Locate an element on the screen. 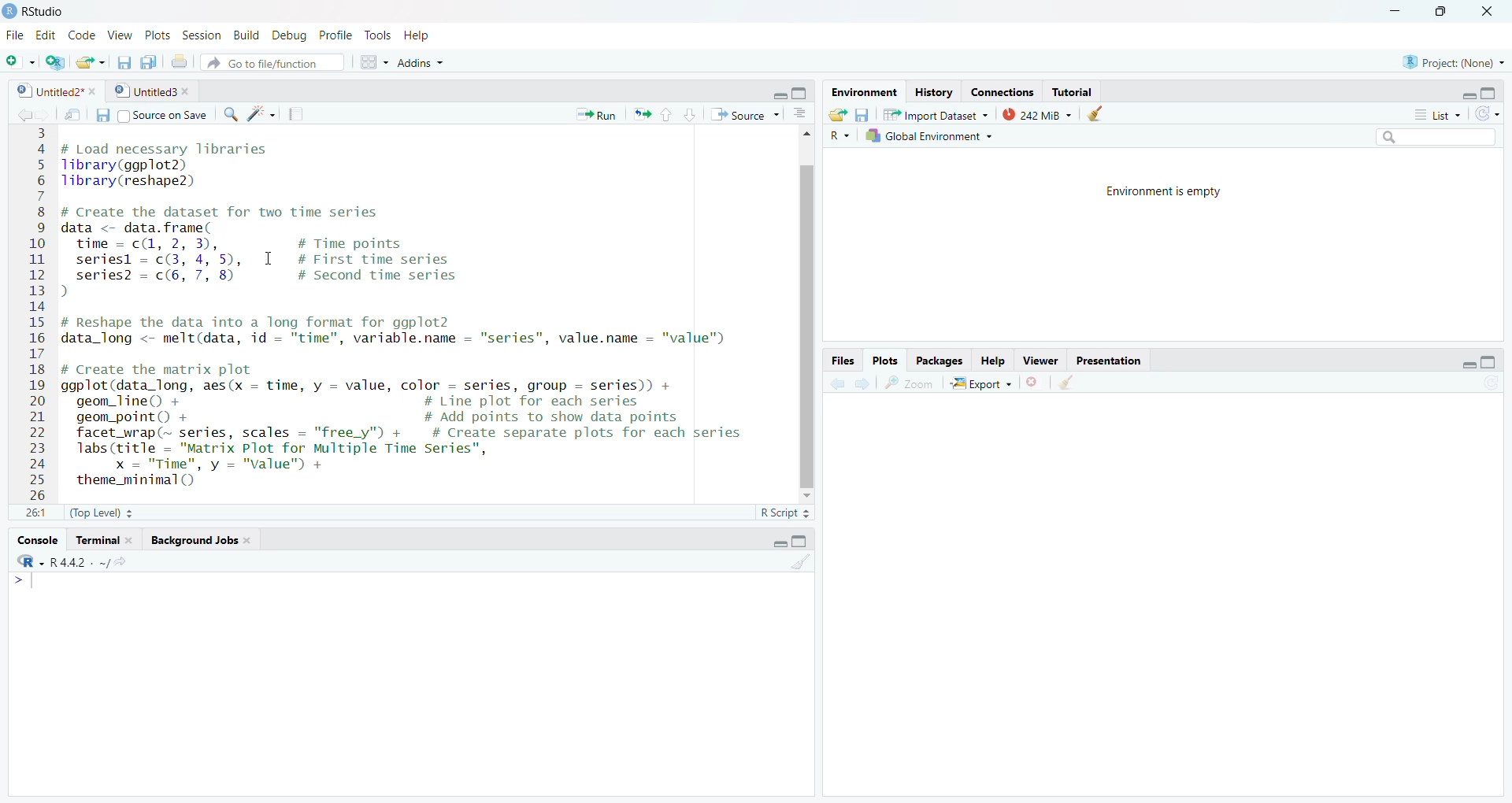 The image size is (1512, 803). 3 4 5 6 7 8 9 10 11 12 13 14 15 16 17 18 19 20 21 22 23 24 25 26 is located at coordinates (38, 313).